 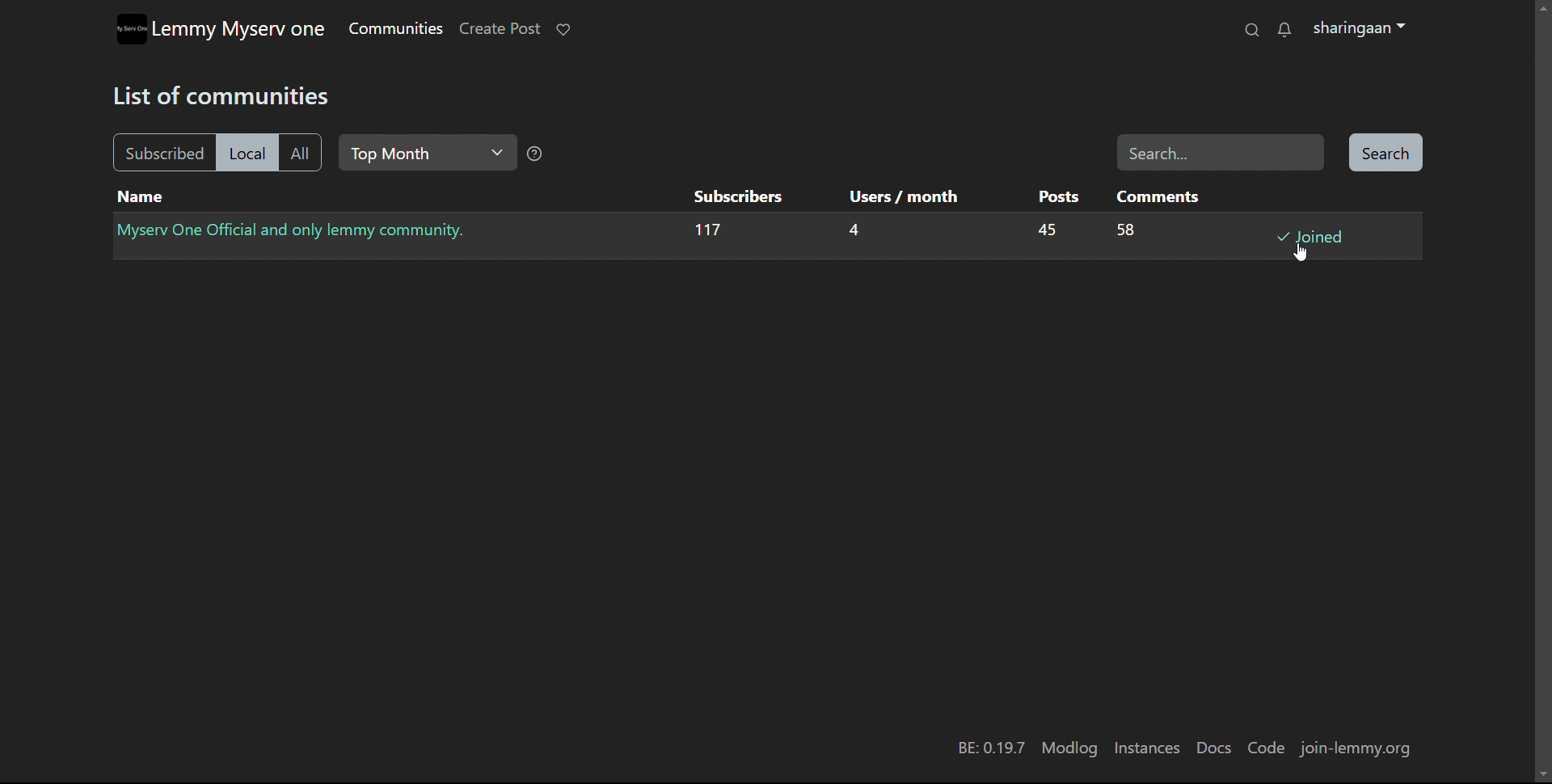 What do you see at coordinates (1284, 31) in the screenshot?
I see `unread messages` at bounding box center [1284, 31].